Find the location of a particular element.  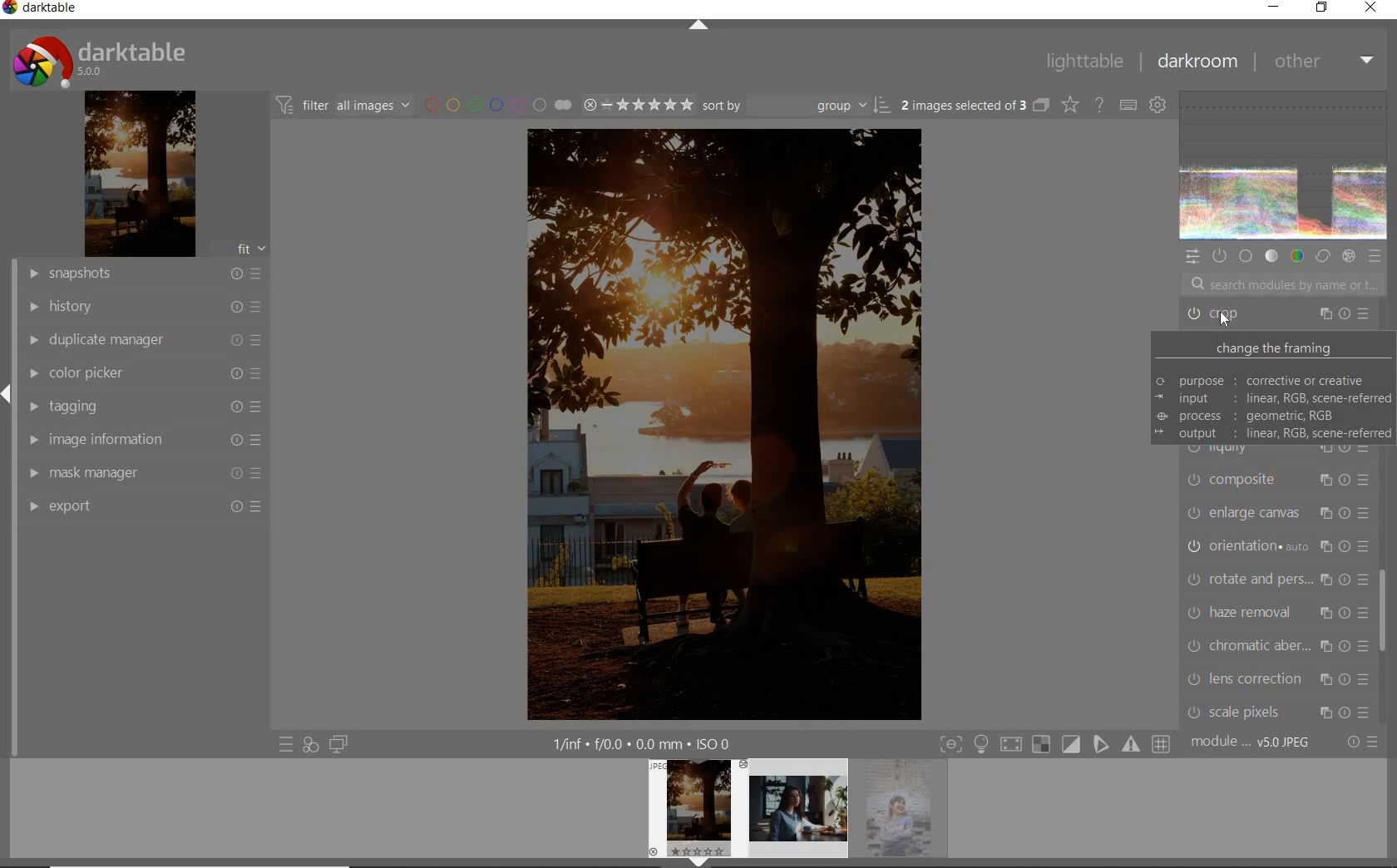

selected image is located at coordinates (723, 423).